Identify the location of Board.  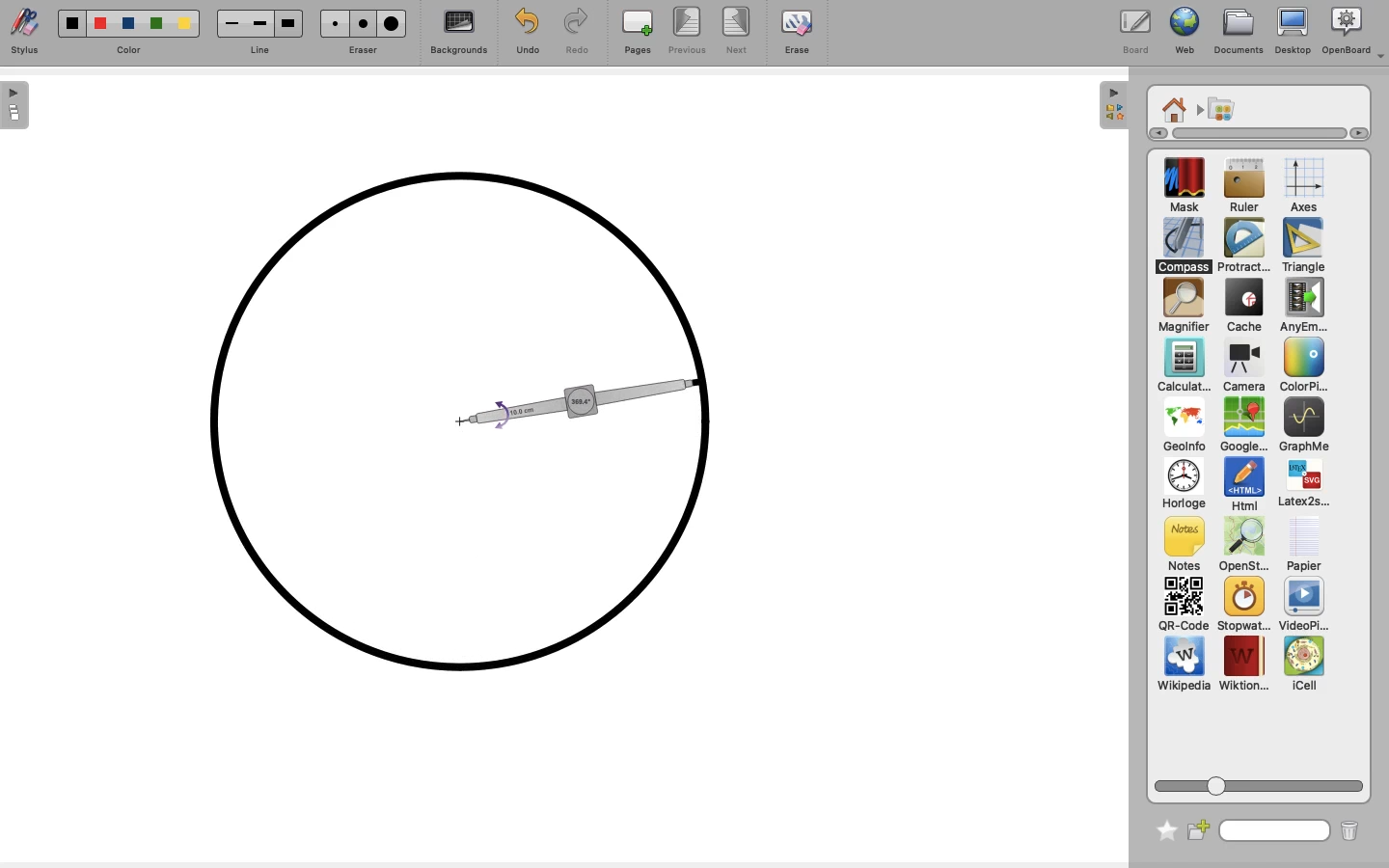
(1134, 32).